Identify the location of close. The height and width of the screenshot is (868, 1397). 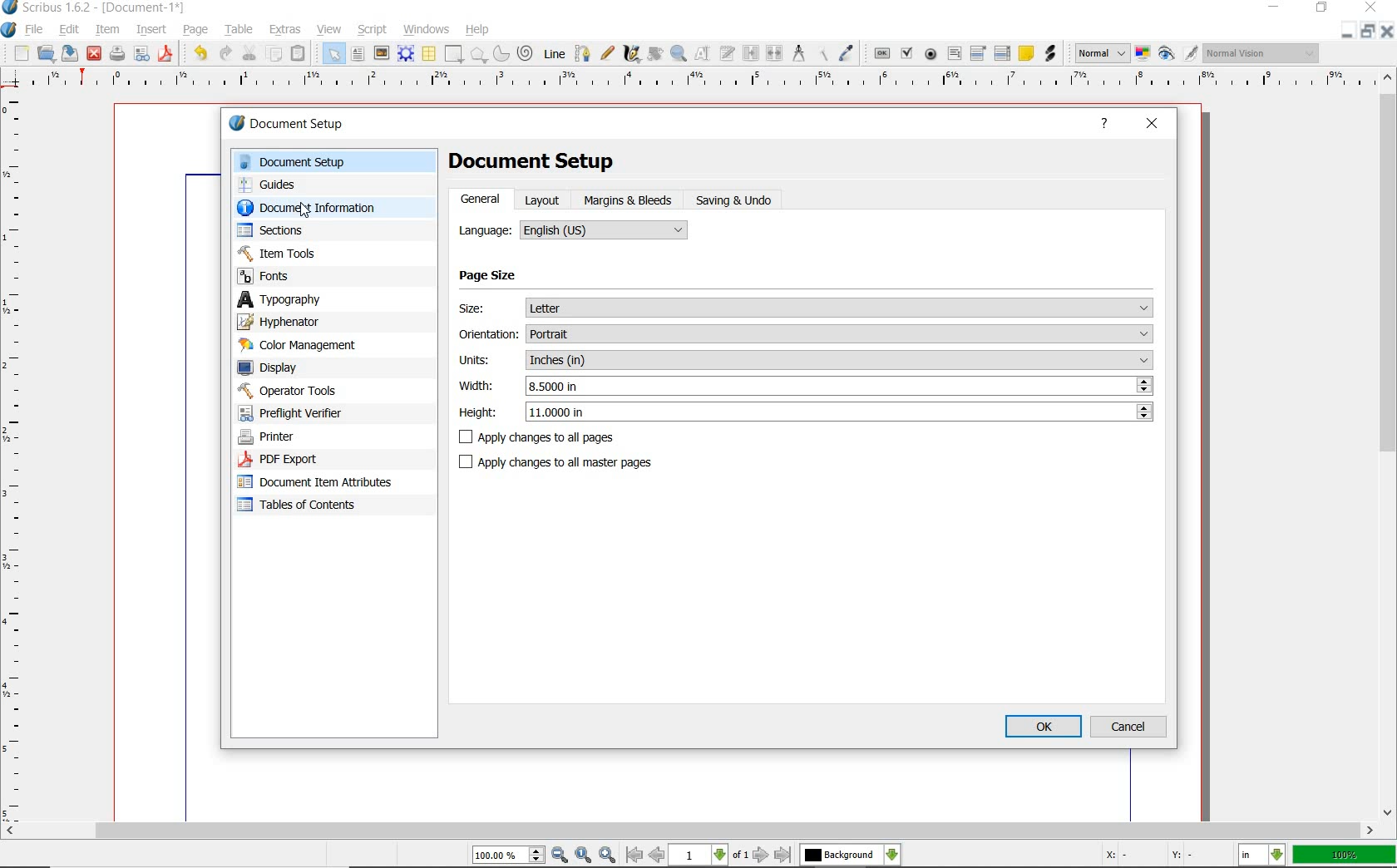
(1153, 125).